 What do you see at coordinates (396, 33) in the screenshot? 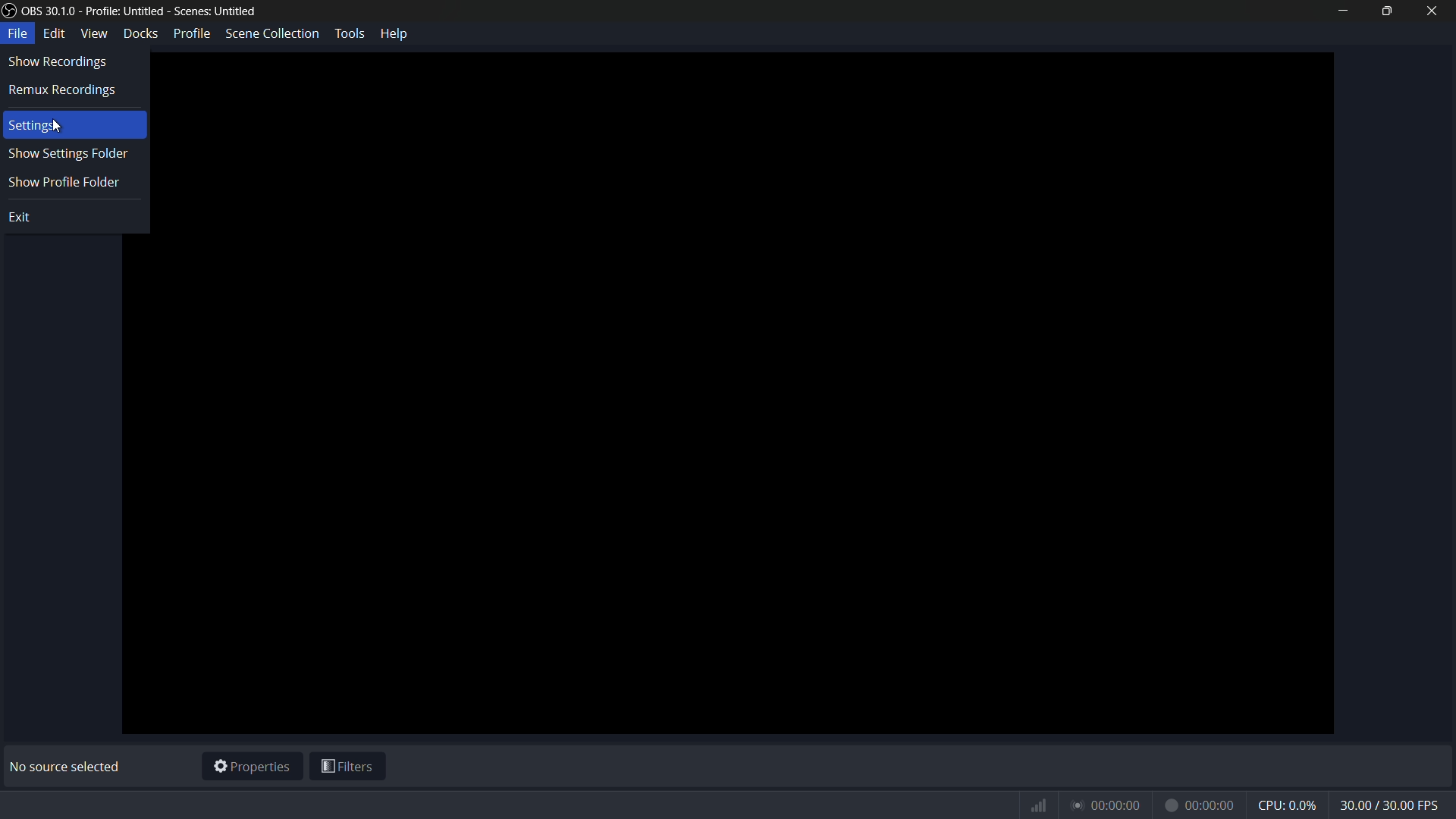
I see `help menu` at bounding box center [396, 33].